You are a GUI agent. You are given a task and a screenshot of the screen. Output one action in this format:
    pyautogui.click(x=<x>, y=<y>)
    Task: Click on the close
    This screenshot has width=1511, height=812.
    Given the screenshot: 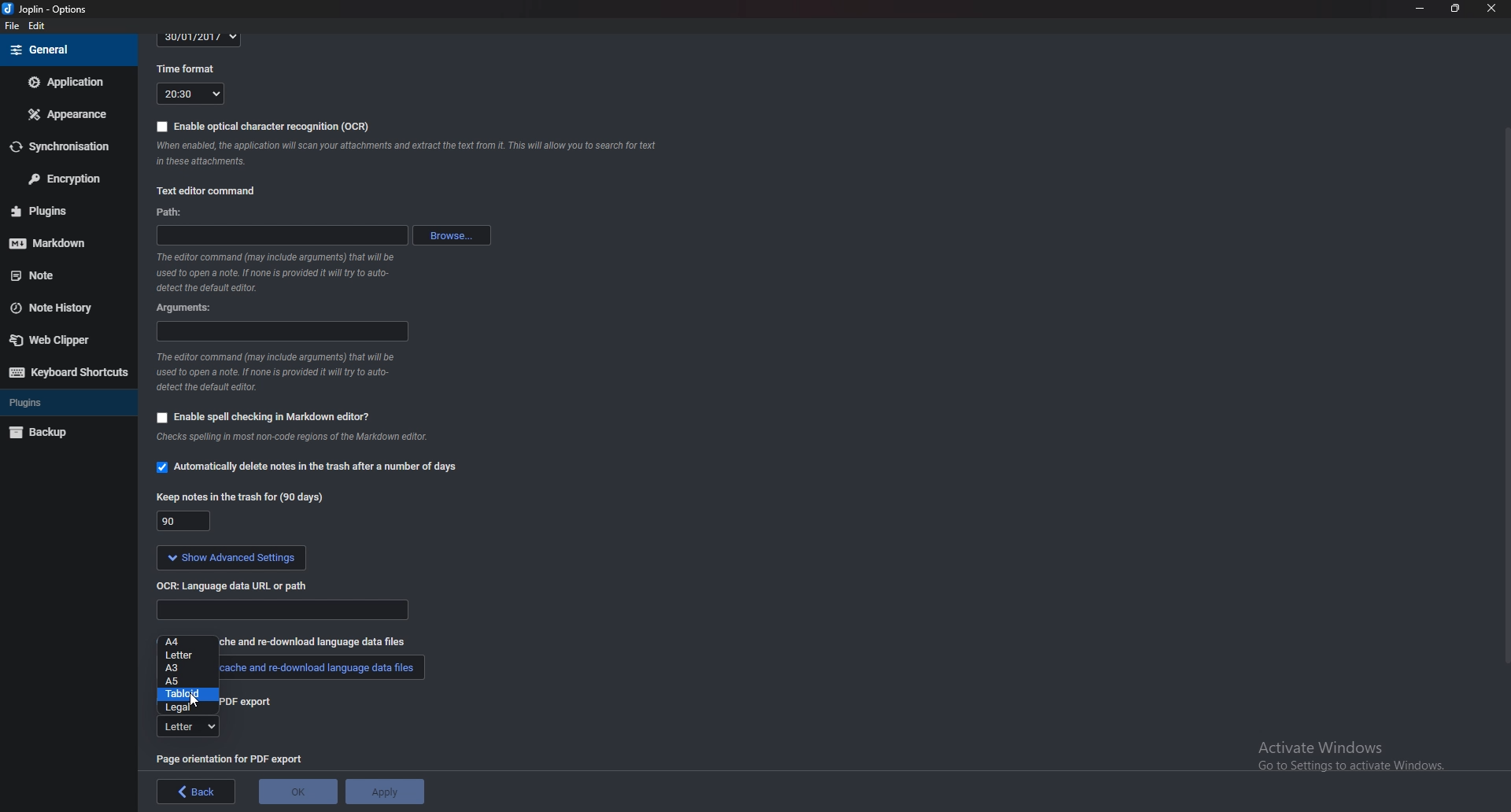 What is the action you would take?
    pyautogui.click(x=1490, y=9)
    